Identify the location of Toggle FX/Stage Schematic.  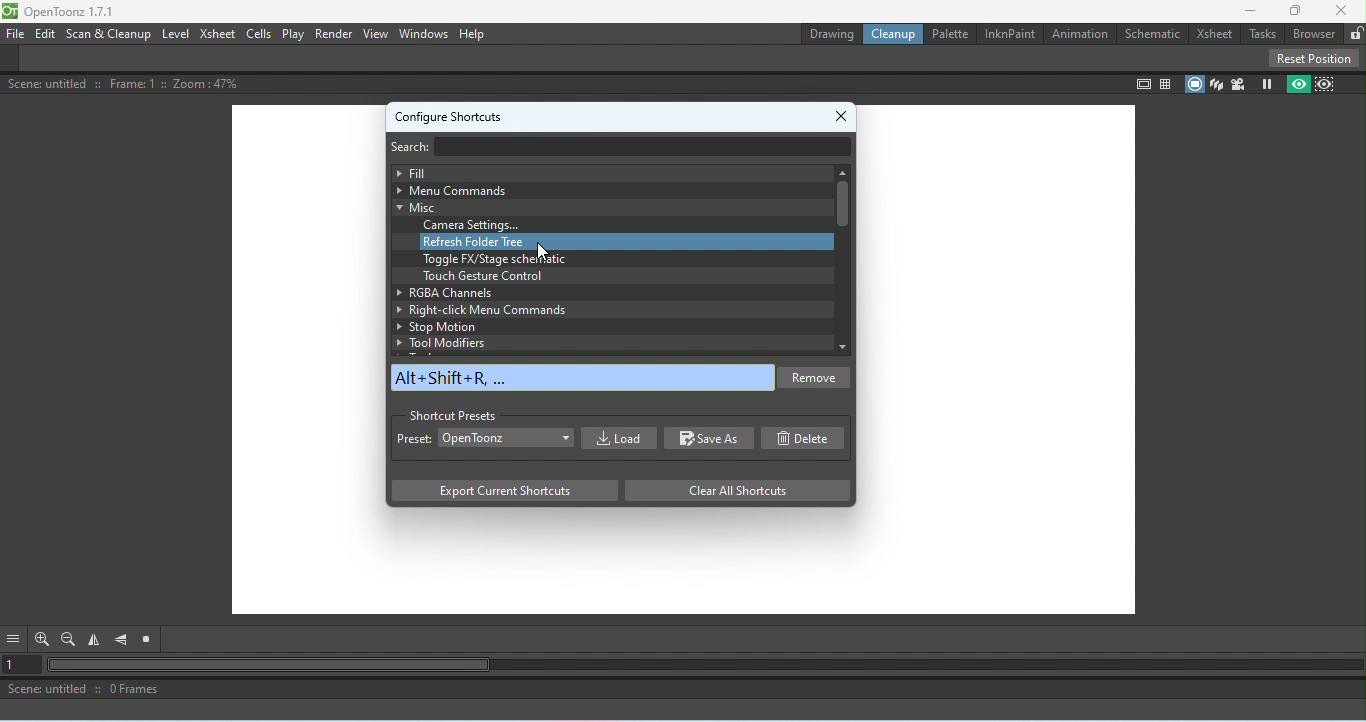
(498, 259).